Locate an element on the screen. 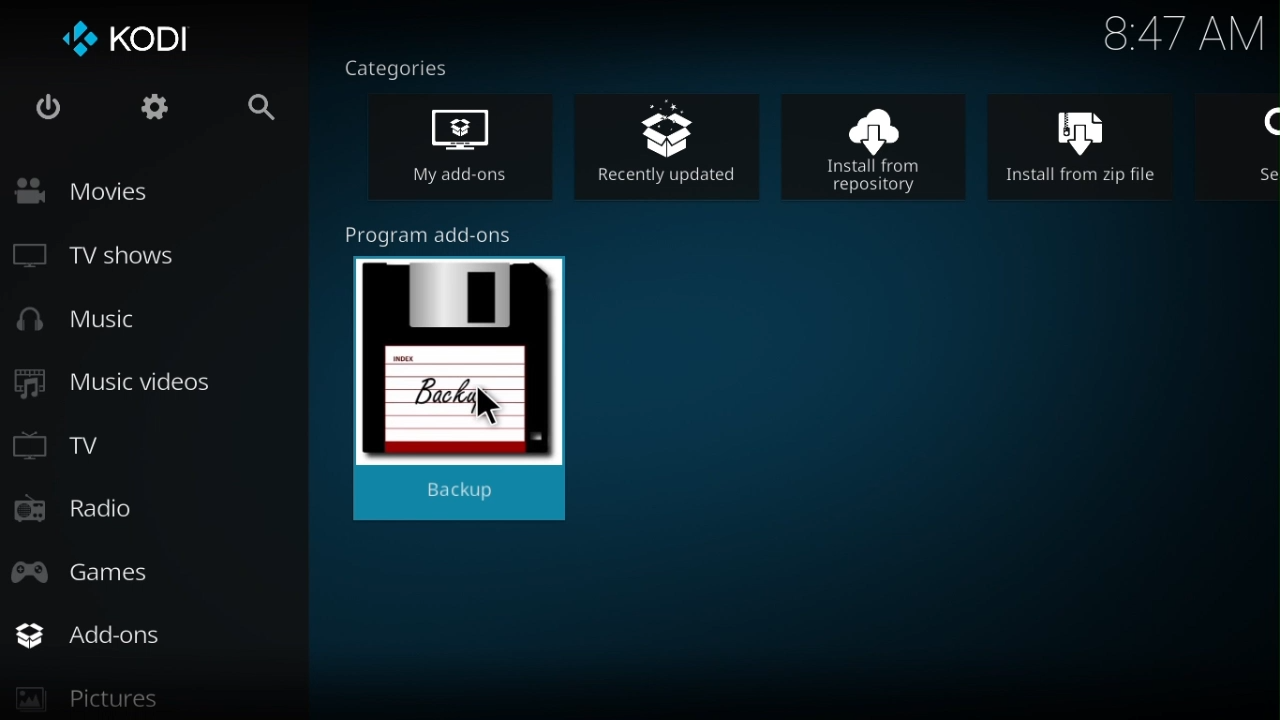 The width and height of the screenshot is (1280, 720). Music videos is located at coordinates (119, 384).